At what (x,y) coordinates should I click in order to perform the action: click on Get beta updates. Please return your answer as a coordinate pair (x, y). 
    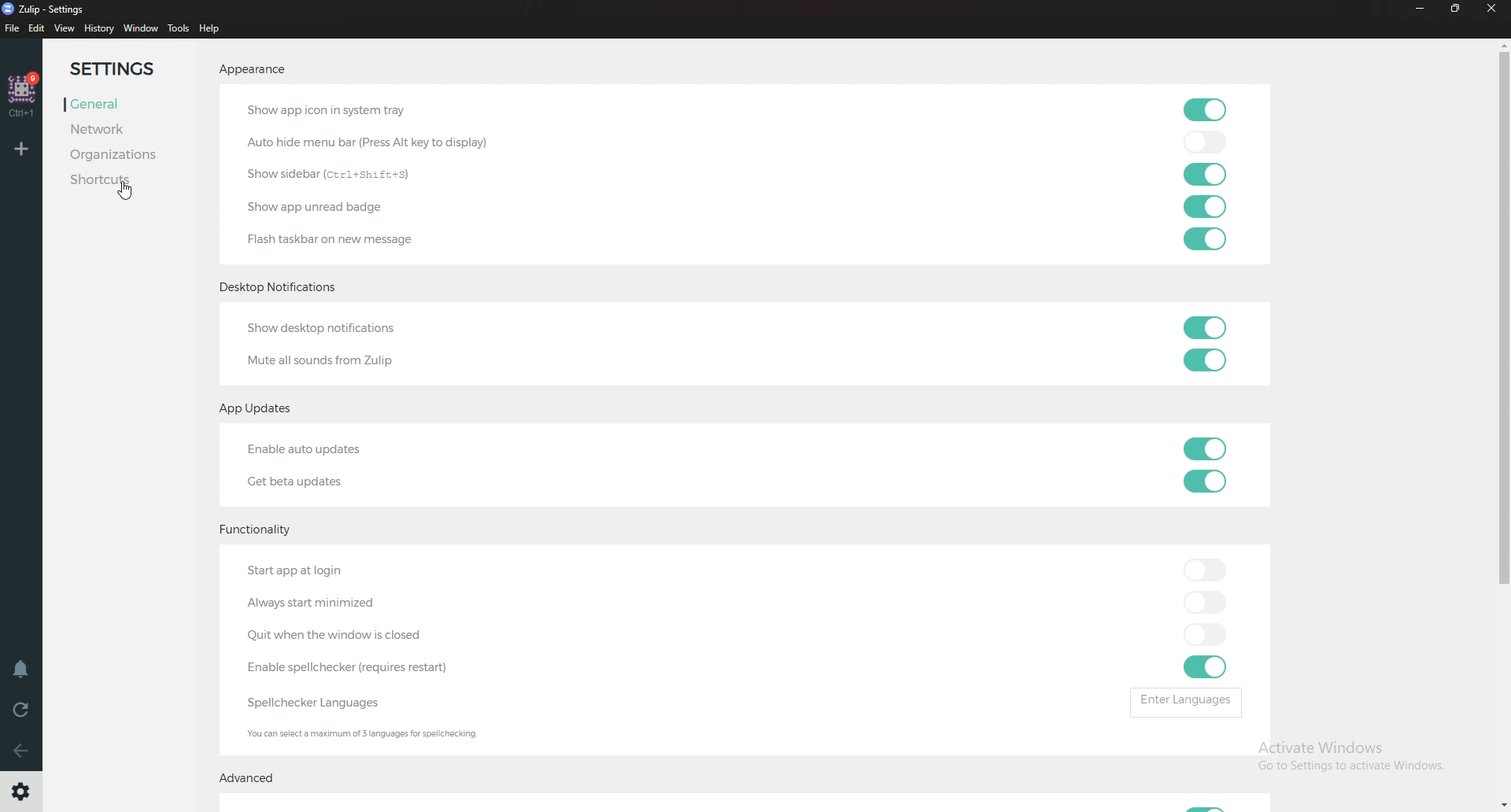
    Looking at the image, I should click on (293, 482).